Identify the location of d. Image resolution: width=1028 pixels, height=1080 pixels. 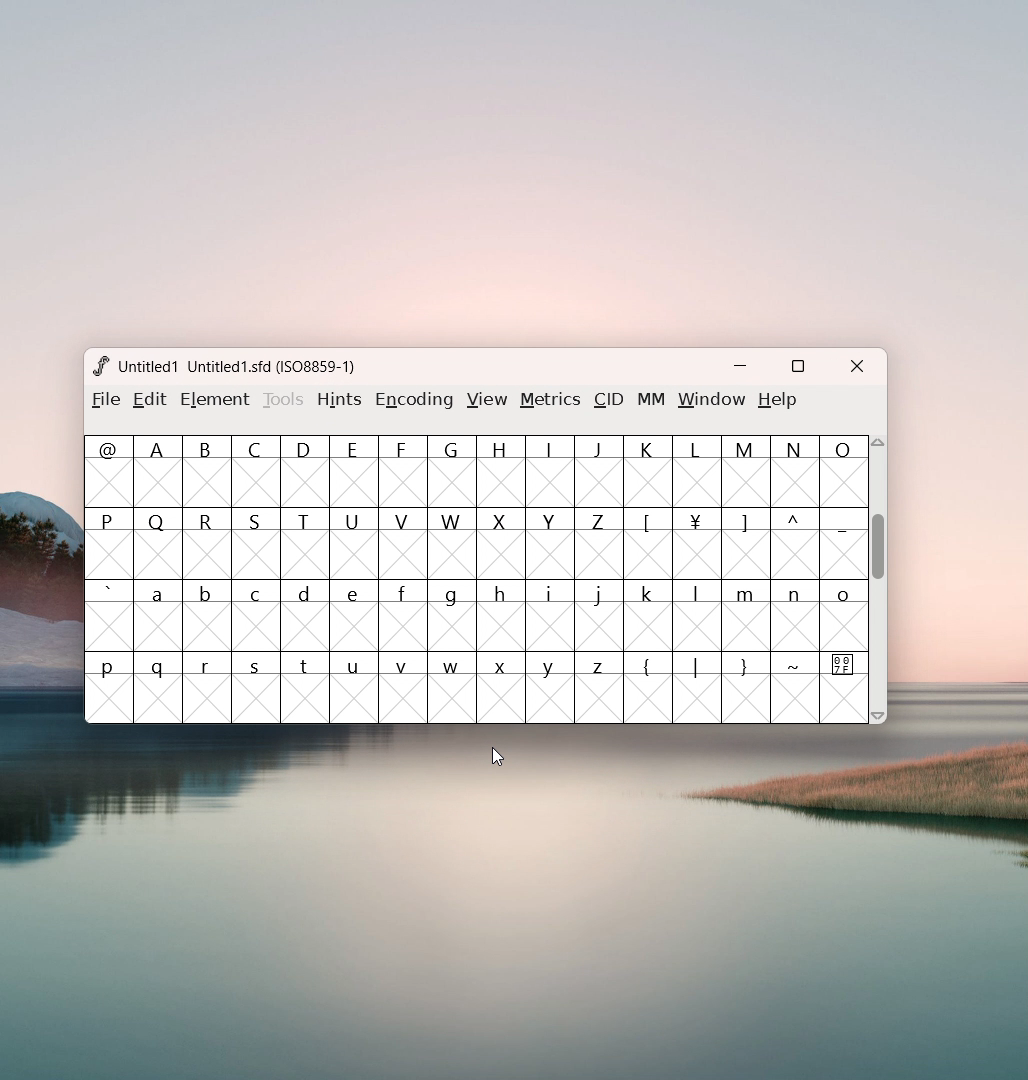
(306, 616).